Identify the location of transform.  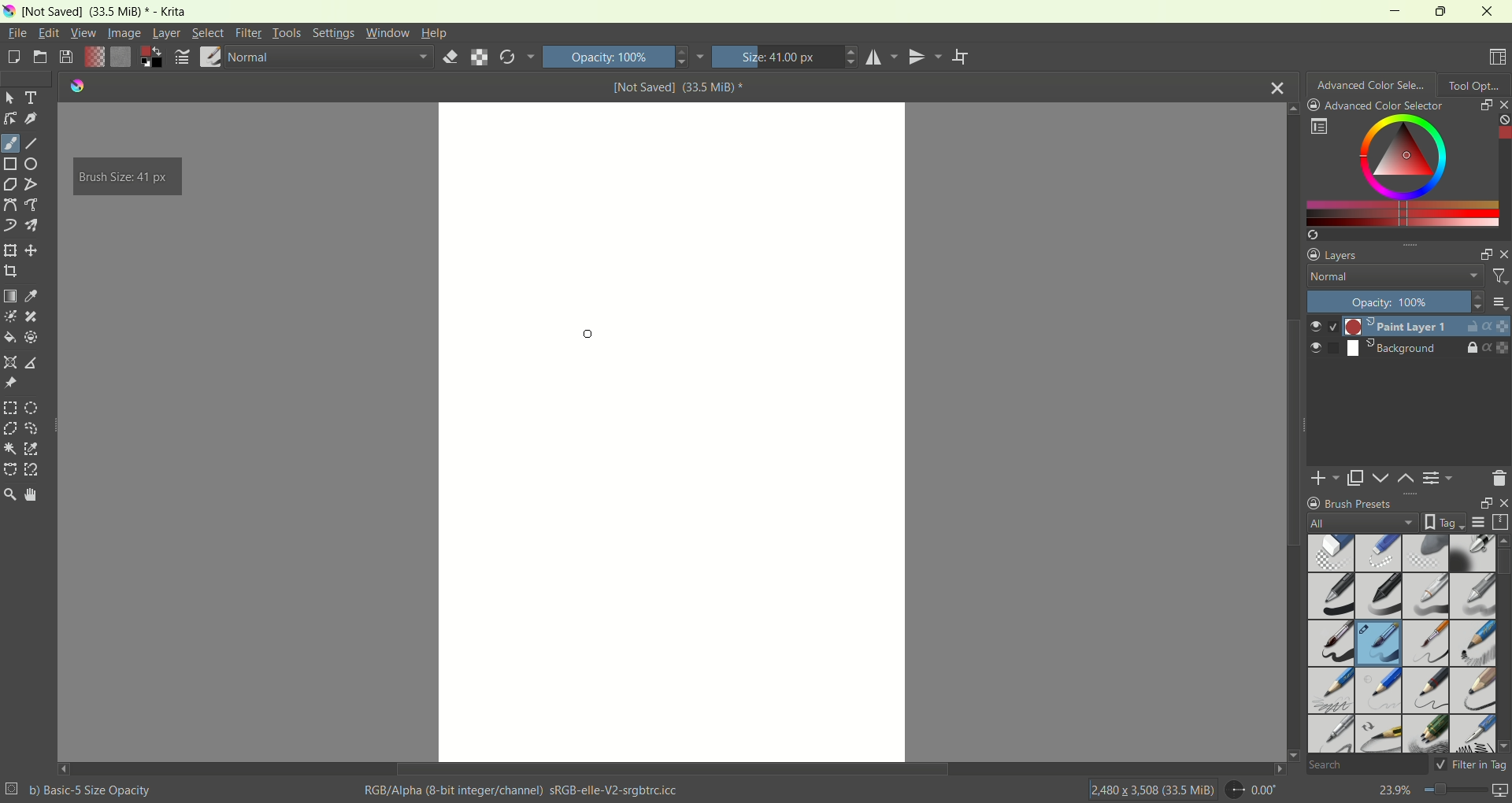
(9, 251).